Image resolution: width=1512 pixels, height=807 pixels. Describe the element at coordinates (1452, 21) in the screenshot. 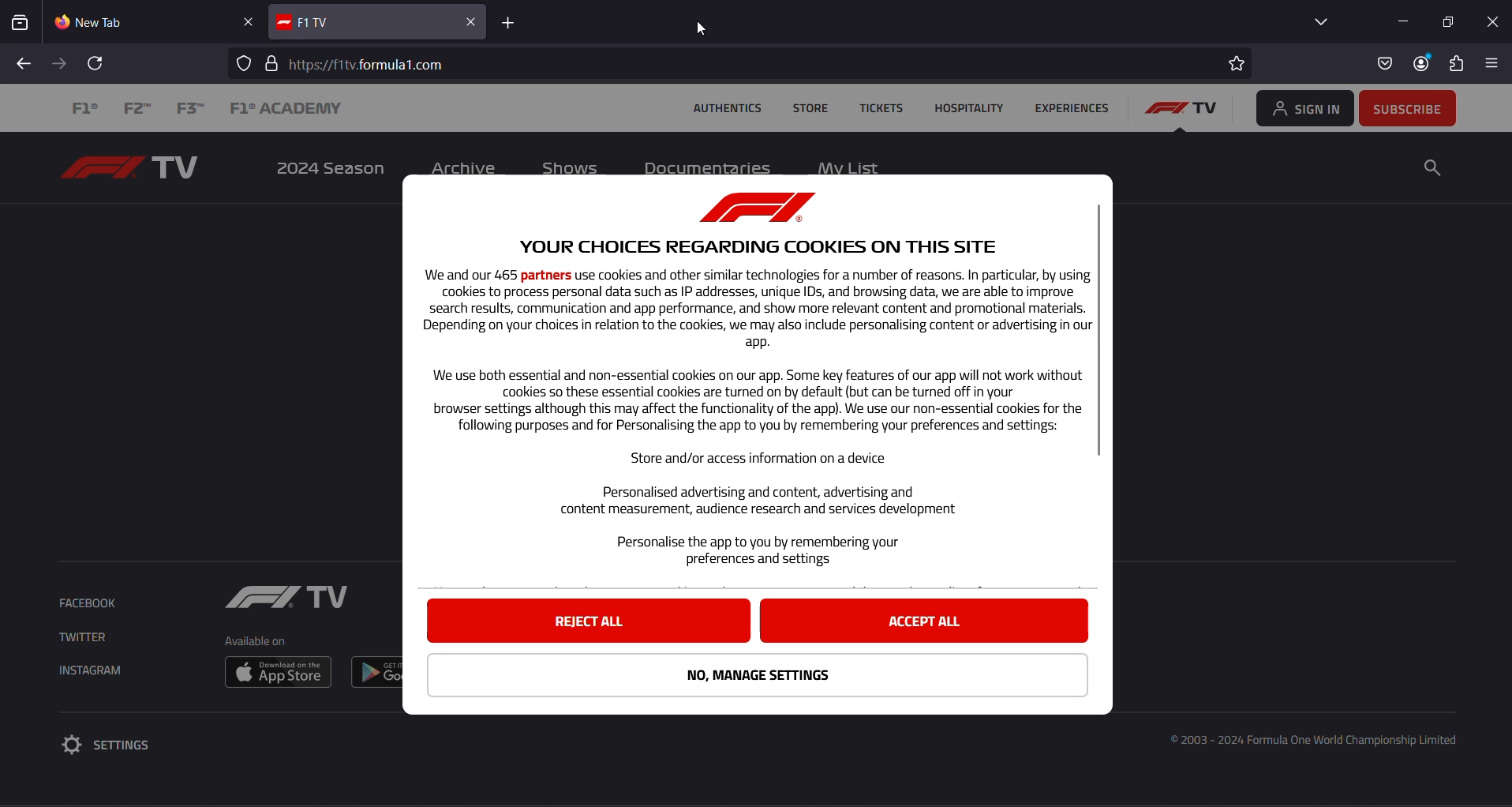

I see `maximize` at that location.